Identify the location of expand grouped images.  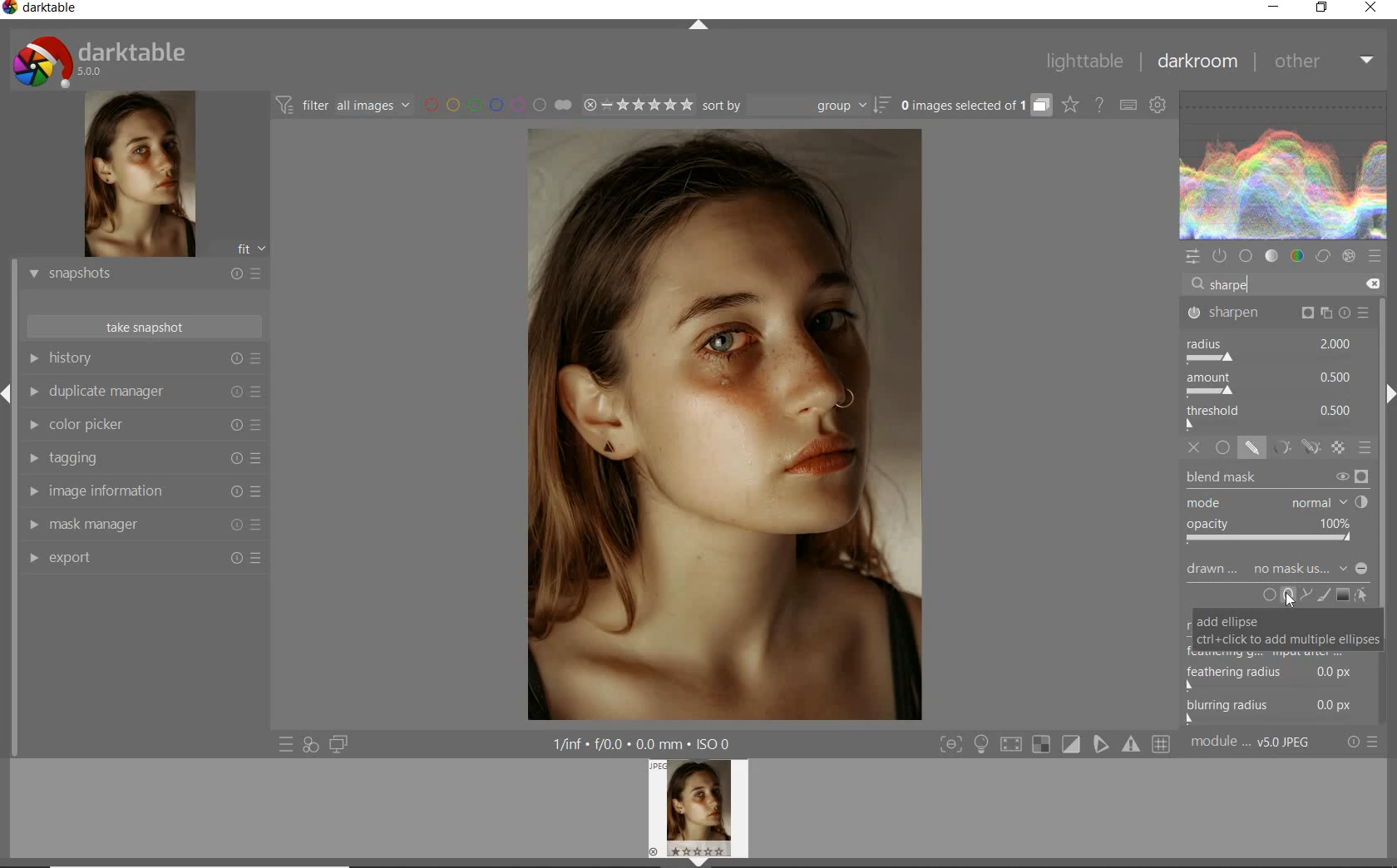
(973, 105).